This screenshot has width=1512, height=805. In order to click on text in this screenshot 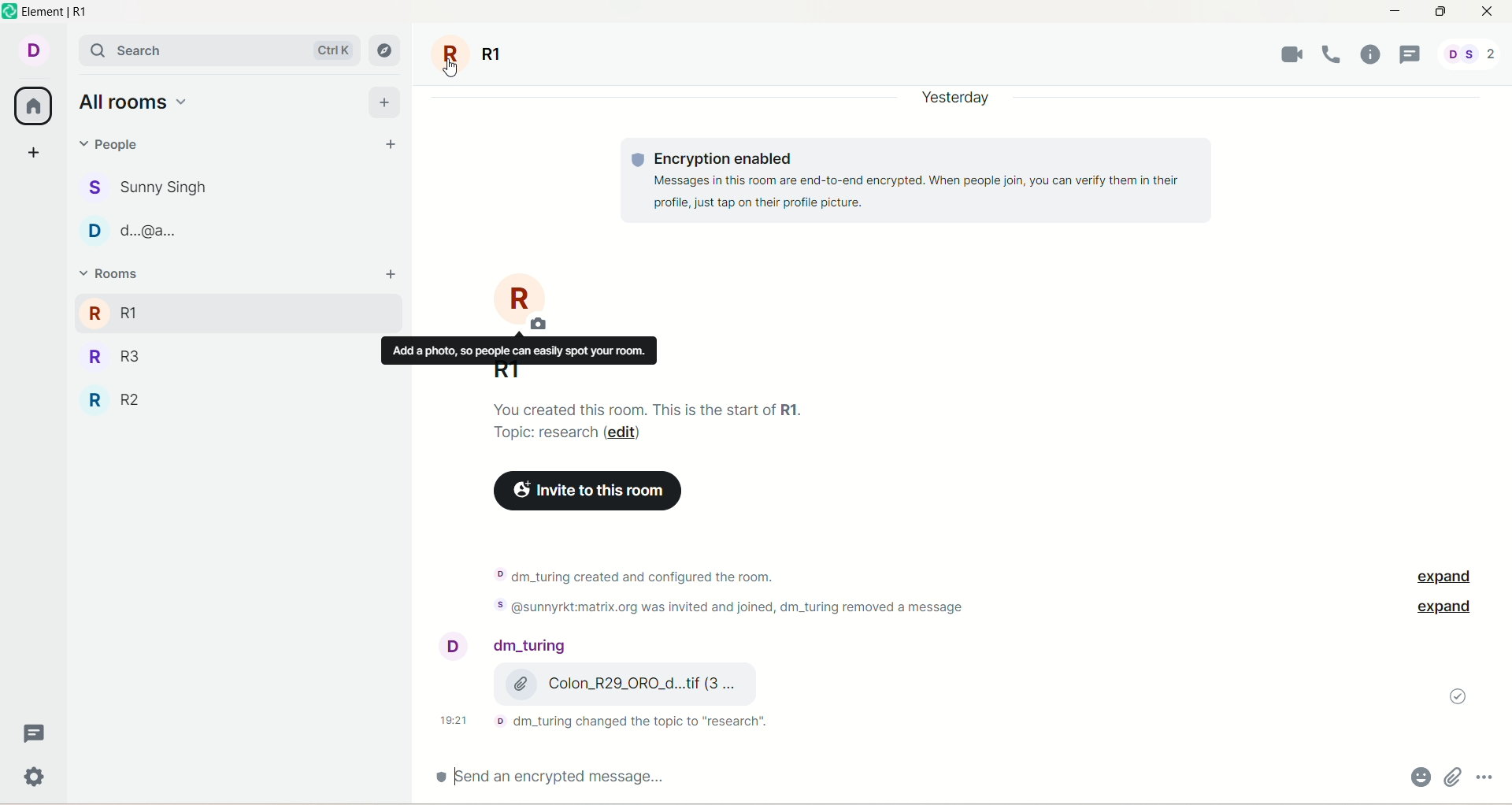, I will do `click(650, 423)`.